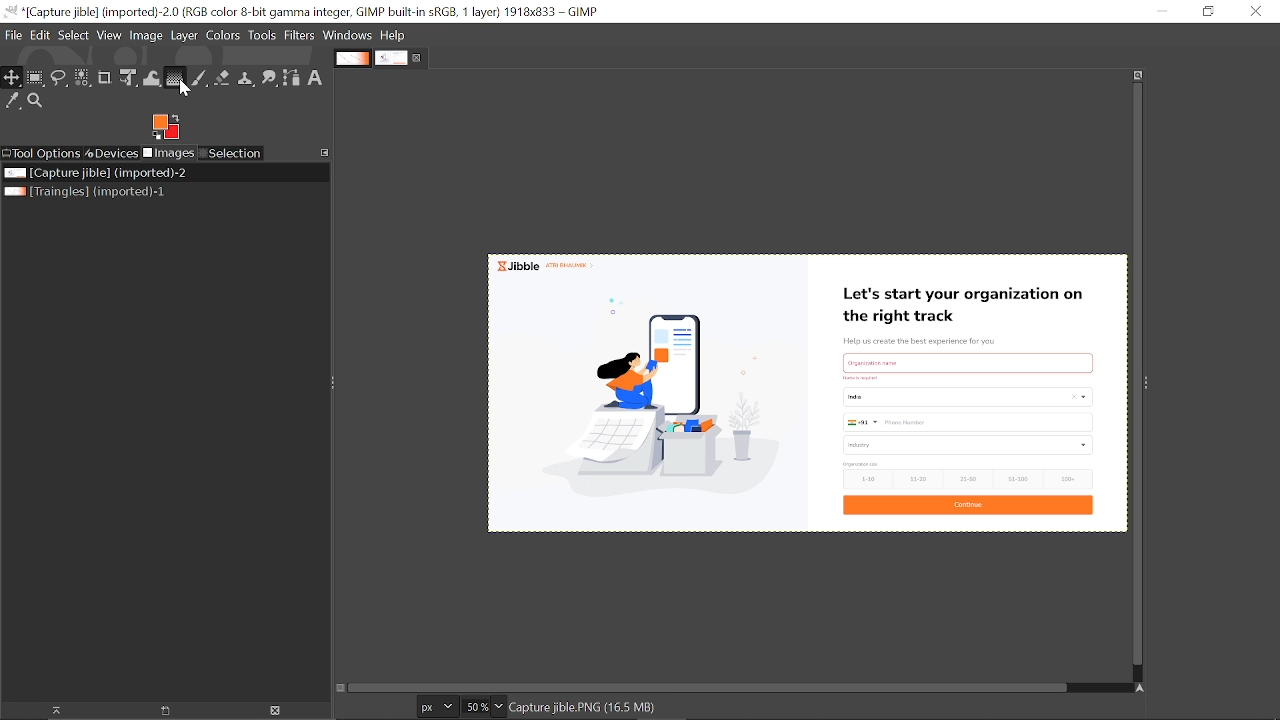 The image size is (1280, 720). What do you see at coordinates (302, 11) in the screenshot?
I see `Current window` at bounding box center [302, 11].